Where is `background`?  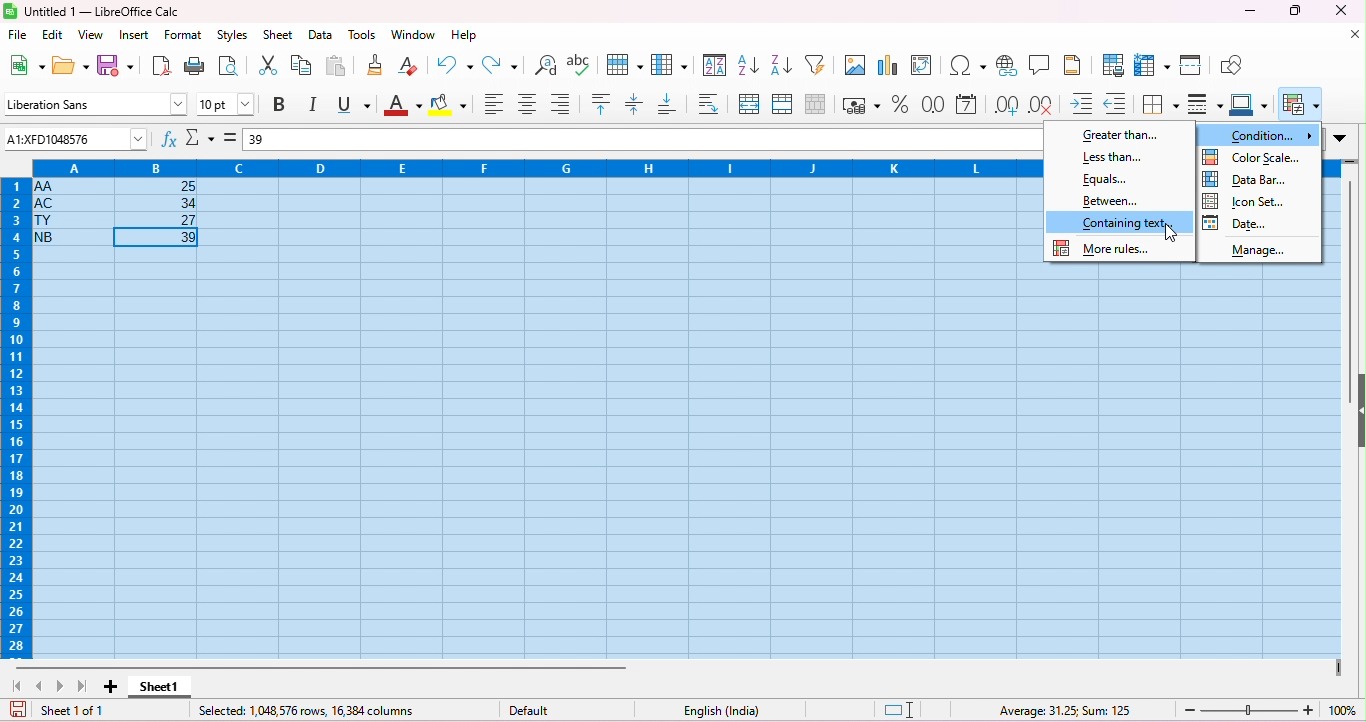
background is located at coordinates (449, 106).